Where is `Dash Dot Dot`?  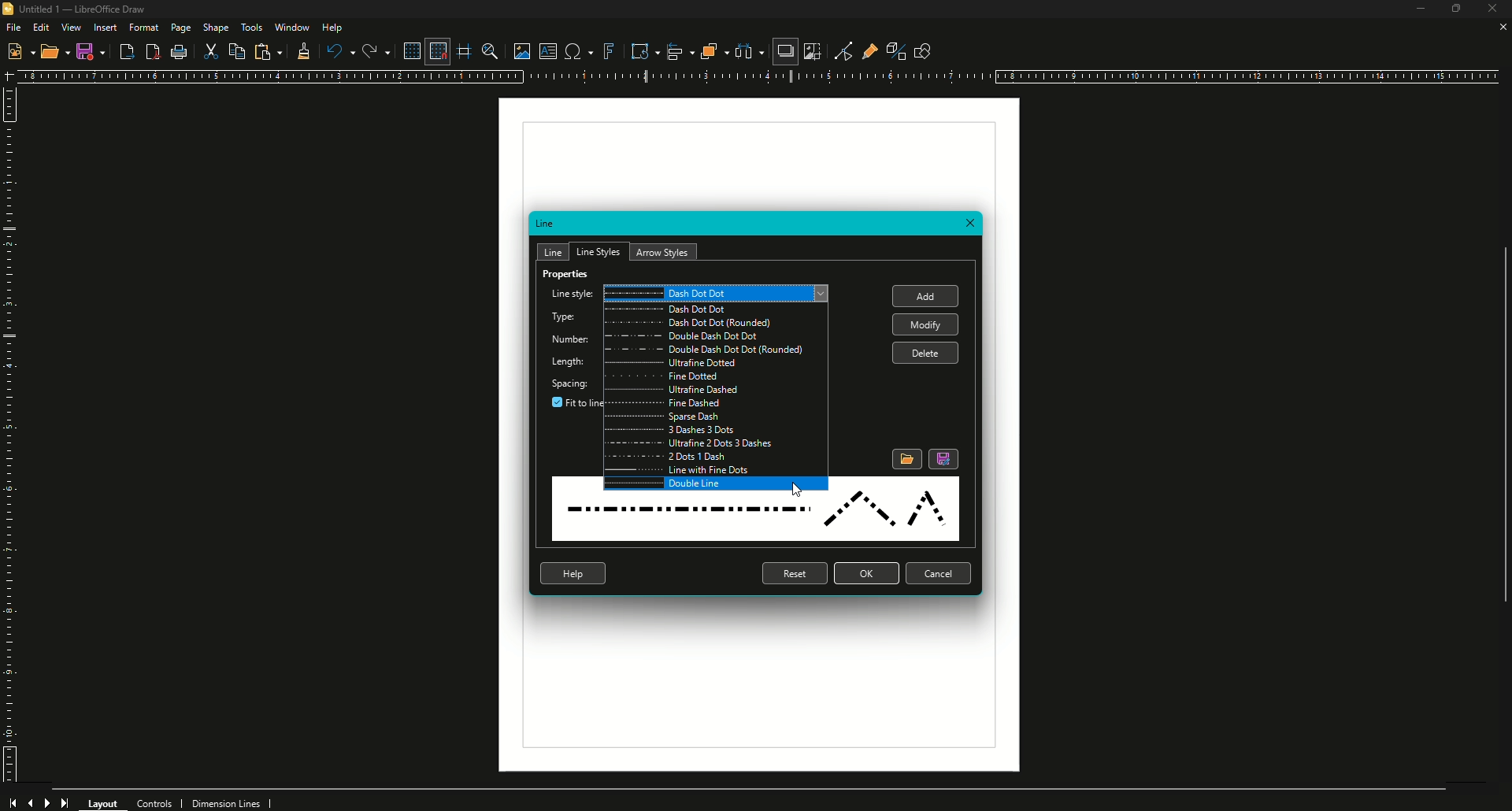
Dash Dot Dot is located at coordinates (714, 310).